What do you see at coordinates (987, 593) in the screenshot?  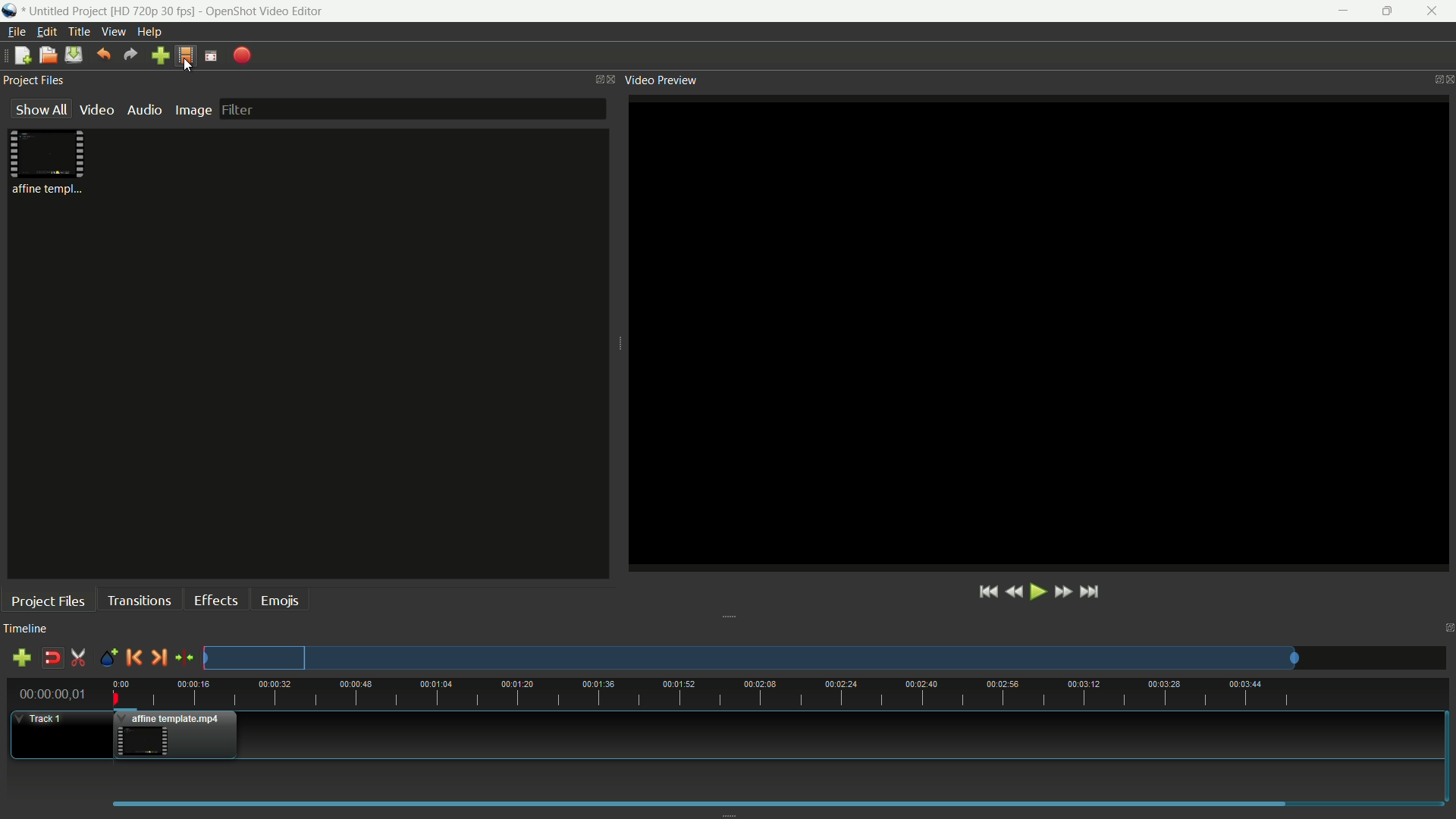 I see `jump to start` at bounding box center [987, 593].